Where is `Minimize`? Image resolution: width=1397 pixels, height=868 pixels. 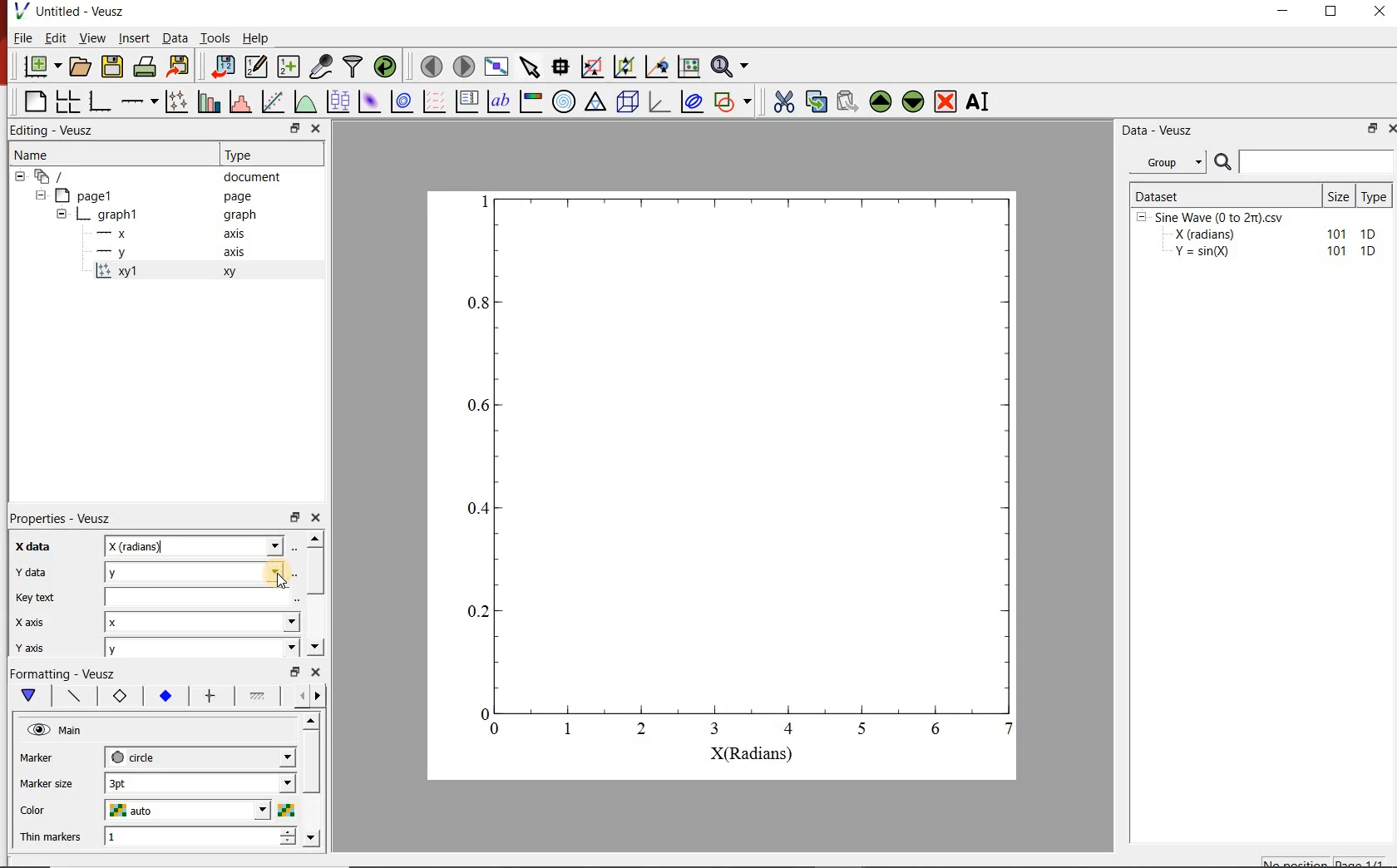
Minimize is located at coordinates (1282, 12).